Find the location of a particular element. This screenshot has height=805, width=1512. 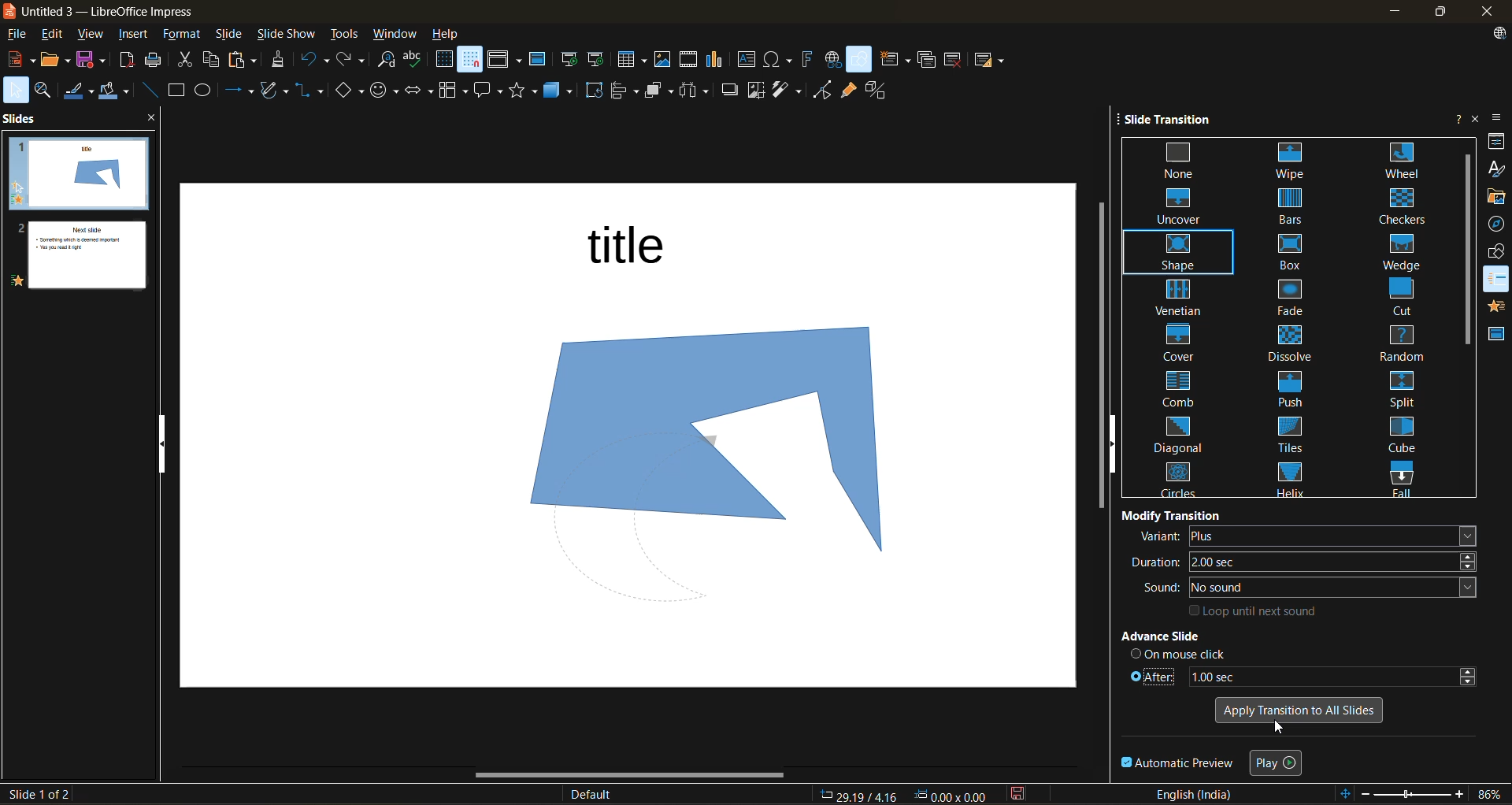

insert framework text is located at coordinates (809, 61).